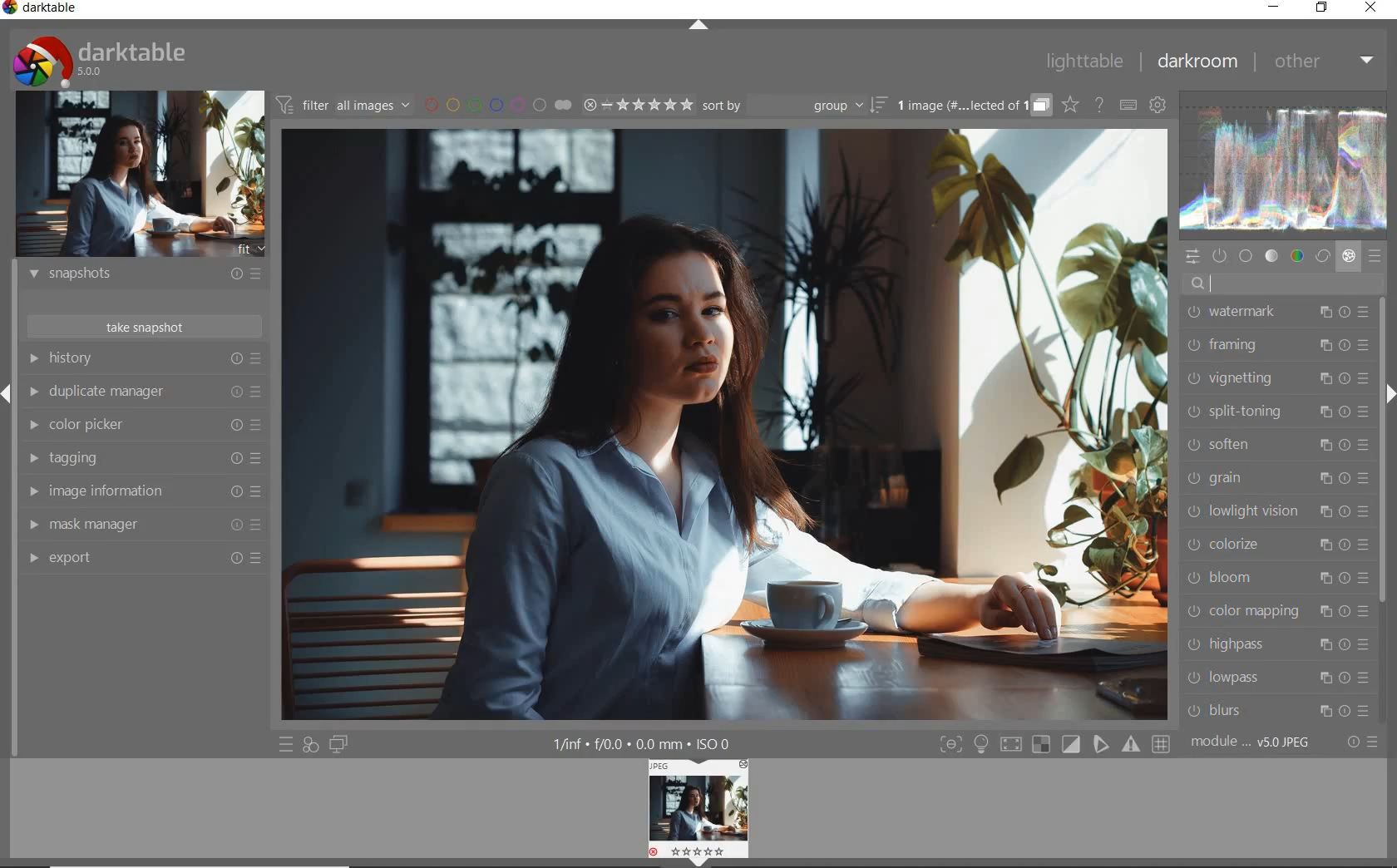 The image size is (1397, 868). Describe the element at coordinates (1273, 256) in the screenshot. I see `tone` at that location.